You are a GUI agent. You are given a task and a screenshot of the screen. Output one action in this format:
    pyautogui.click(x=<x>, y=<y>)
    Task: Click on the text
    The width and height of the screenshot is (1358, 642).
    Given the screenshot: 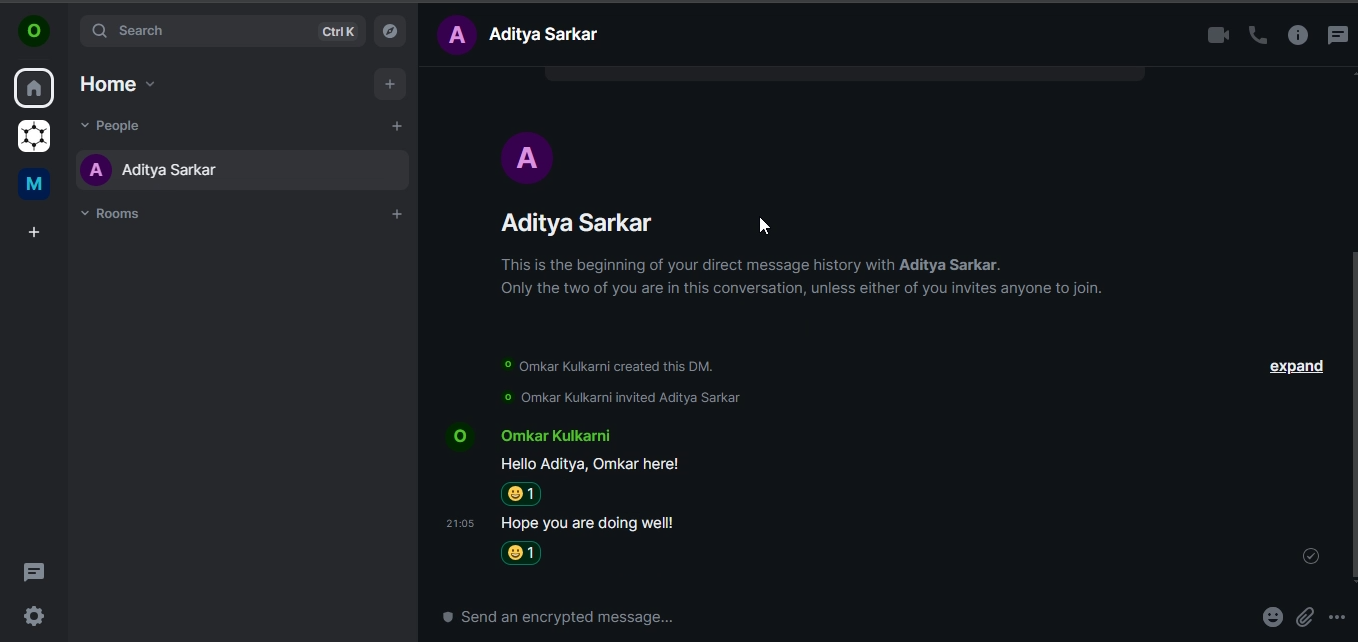 What is the action you would take?
    pyautogui.click(x=524, y=34)
    